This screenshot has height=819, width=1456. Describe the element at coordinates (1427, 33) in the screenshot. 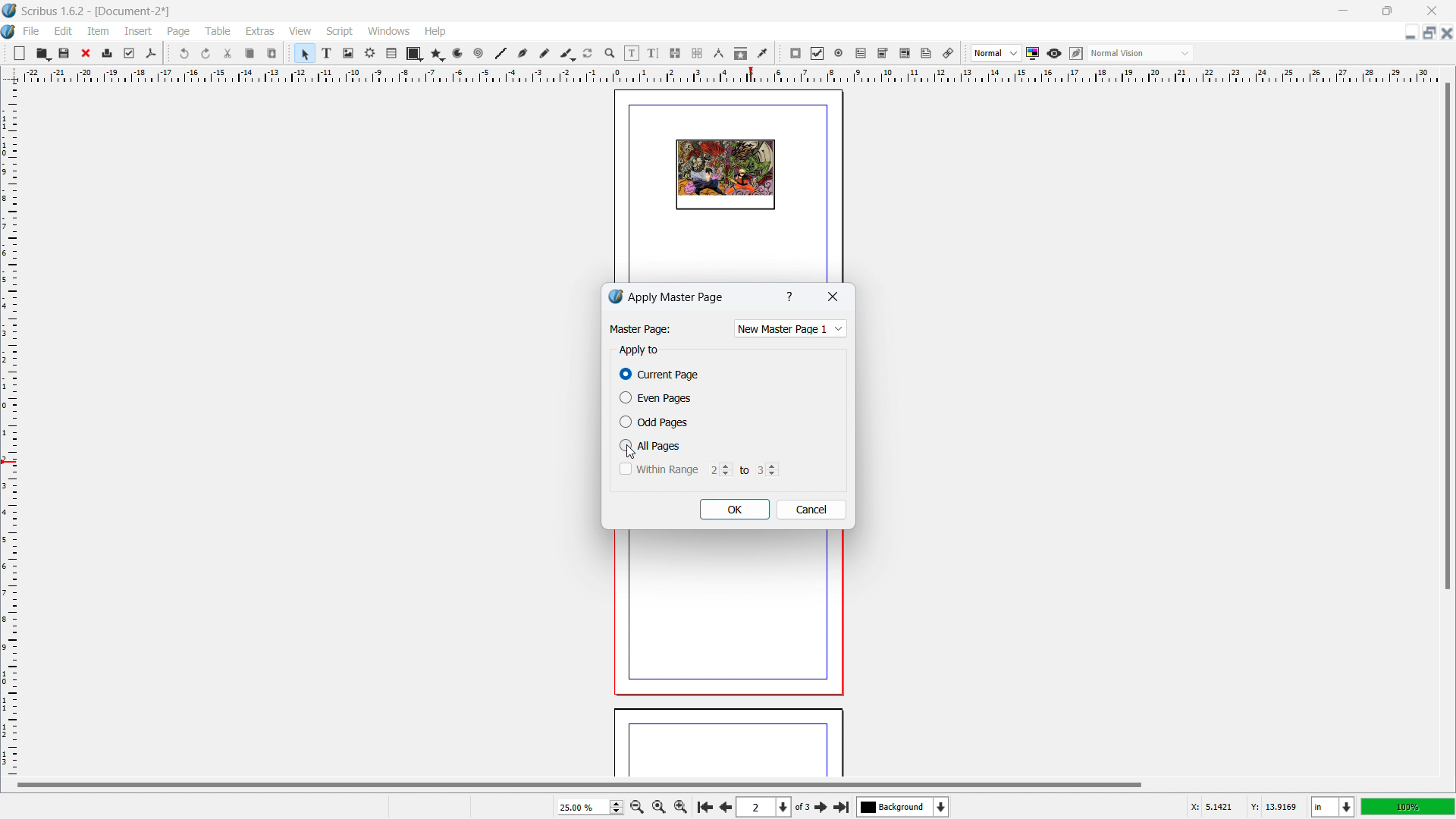

I see `maximize document` at that location.